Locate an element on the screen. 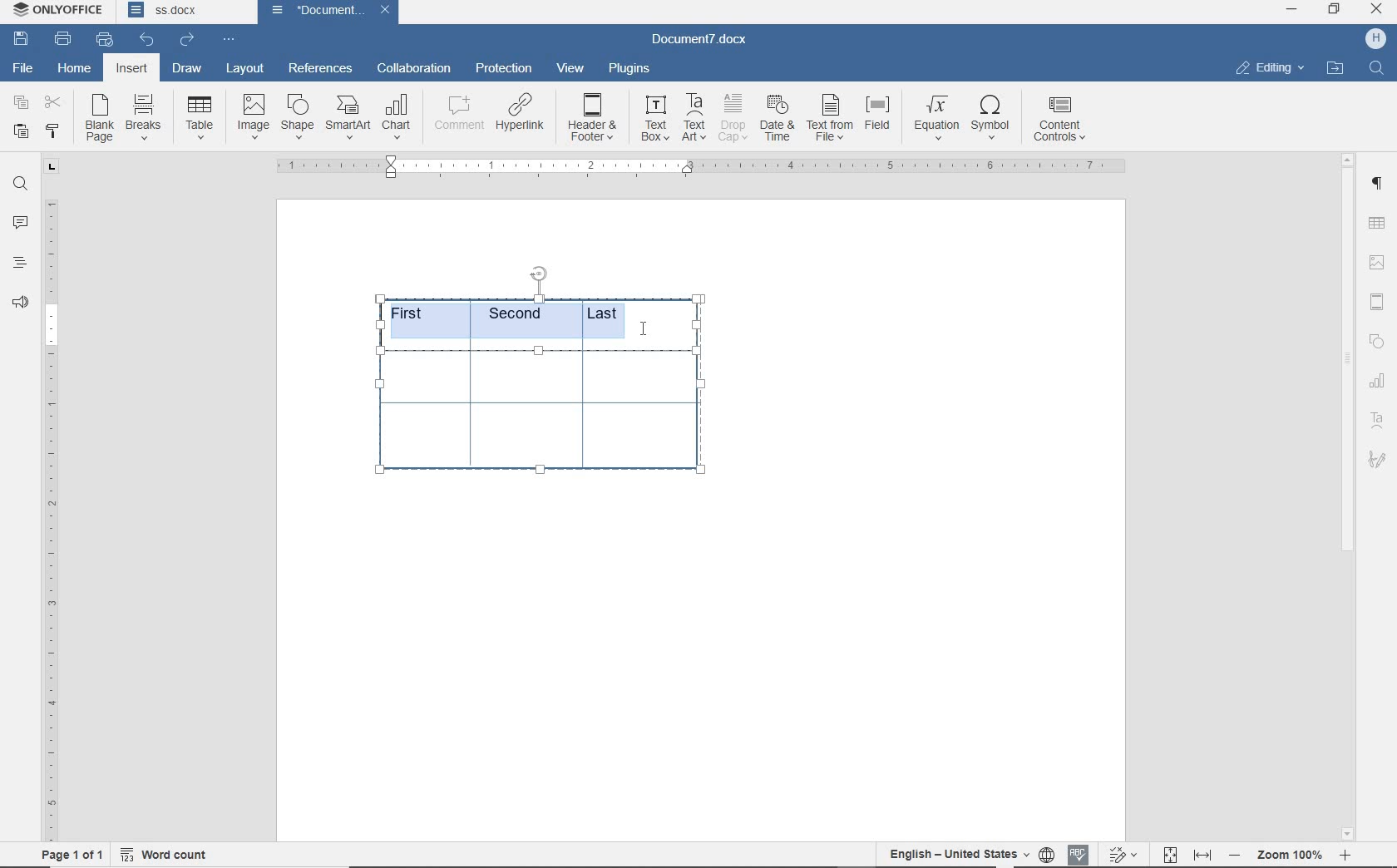 The image size is (1397, 868). home is located at coordinates (76, 70).